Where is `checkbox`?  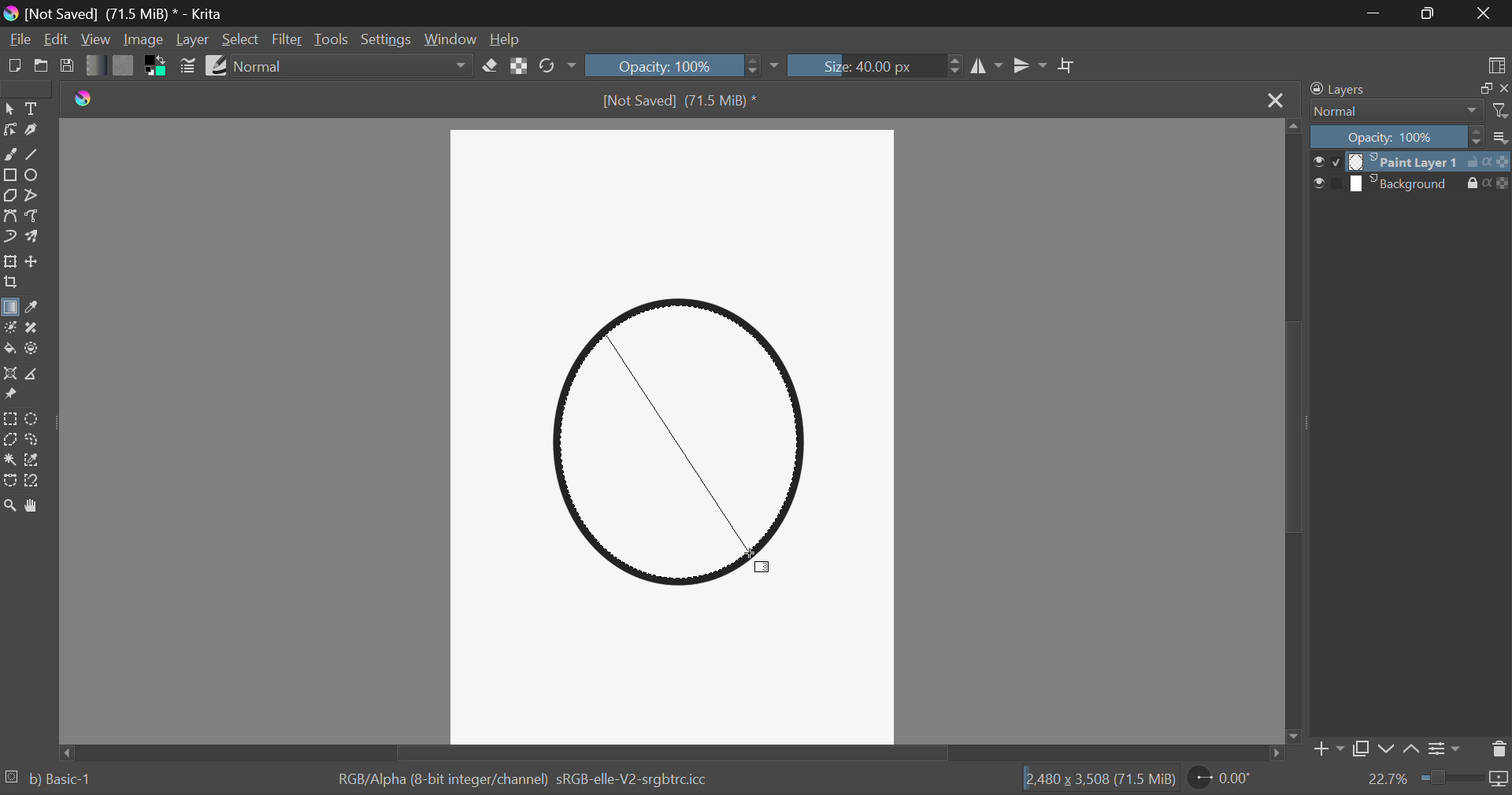 checkbox is located at coordinates (1329, 183).